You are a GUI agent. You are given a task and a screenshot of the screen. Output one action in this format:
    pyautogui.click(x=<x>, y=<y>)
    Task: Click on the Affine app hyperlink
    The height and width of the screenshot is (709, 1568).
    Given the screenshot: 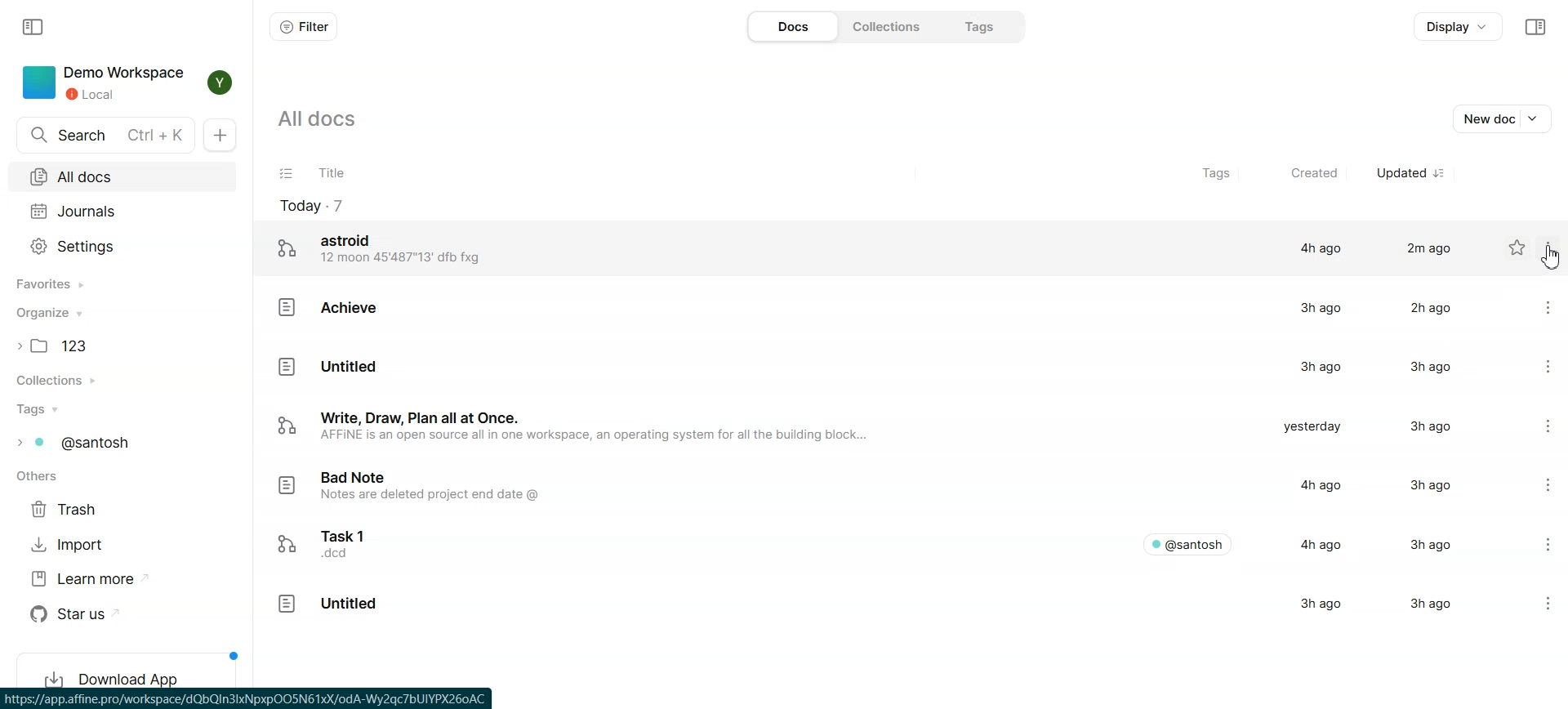 What is the action you would take?
    pyautogui.click(x=248, y=699)
    